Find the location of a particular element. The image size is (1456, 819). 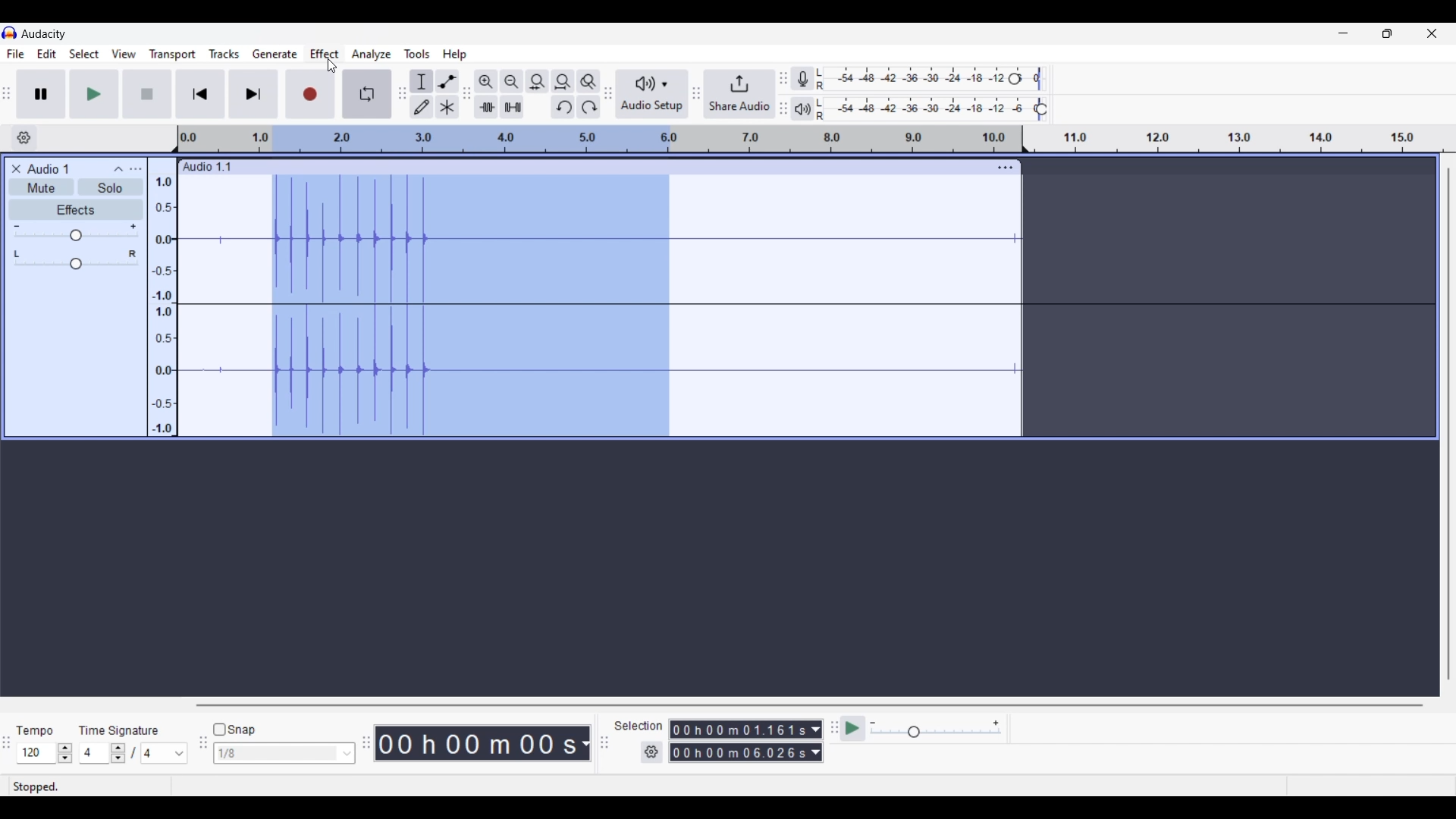

Open menu is located at coordinates (135, 169).